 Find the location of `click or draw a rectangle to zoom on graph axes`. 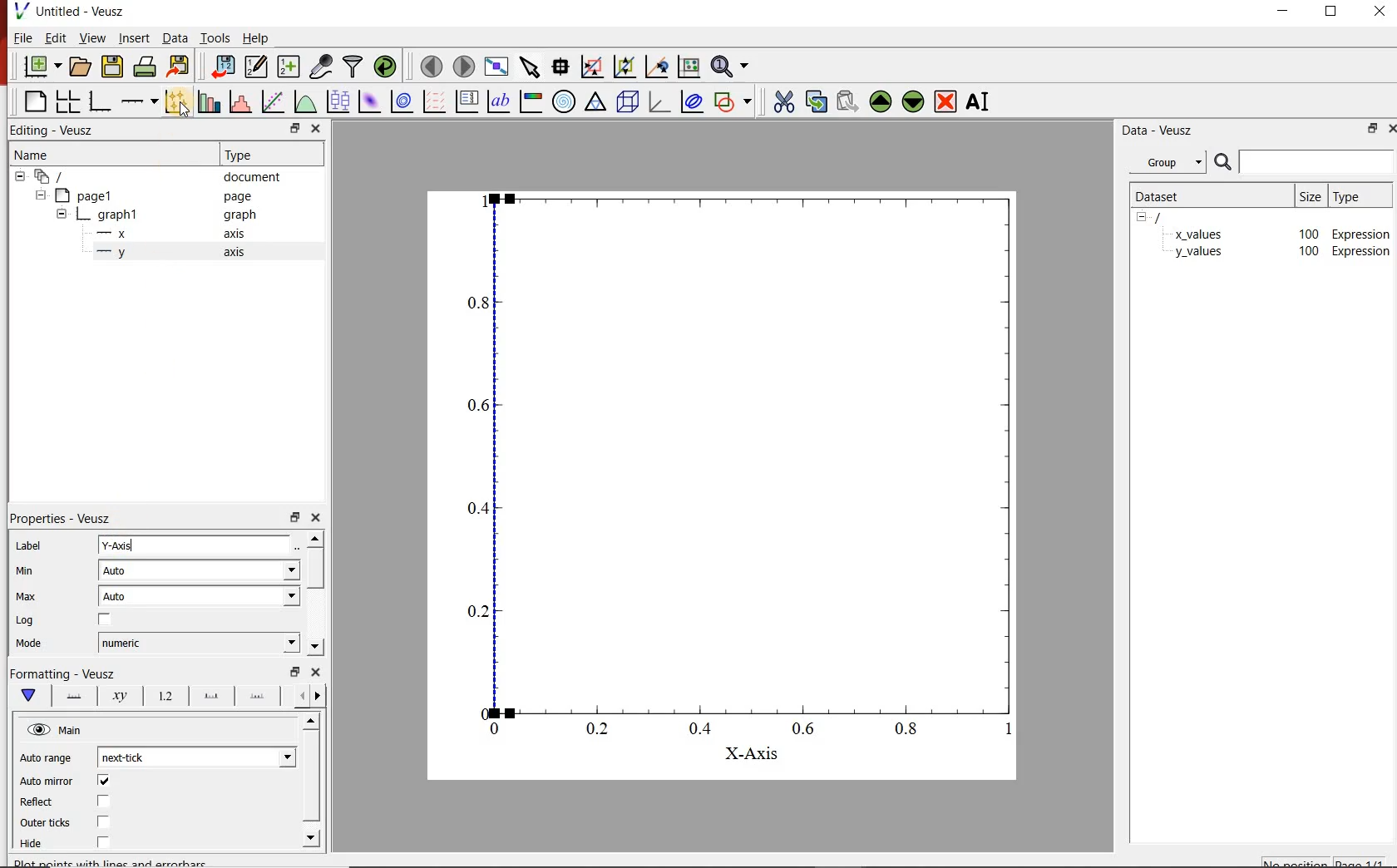

click or draw a rectangle to zoom on graph axes is located at coordinates (592, 67).